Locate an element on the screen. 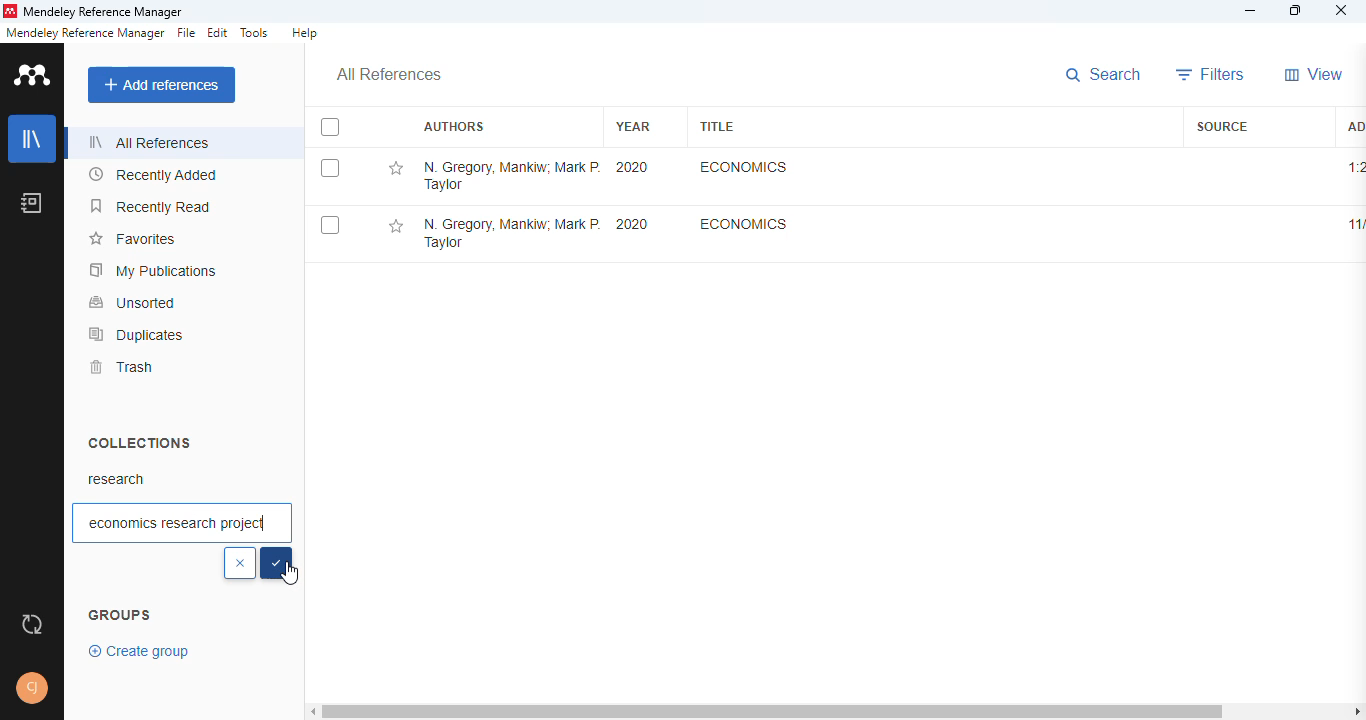  close is located at coordinates (1343, 13).